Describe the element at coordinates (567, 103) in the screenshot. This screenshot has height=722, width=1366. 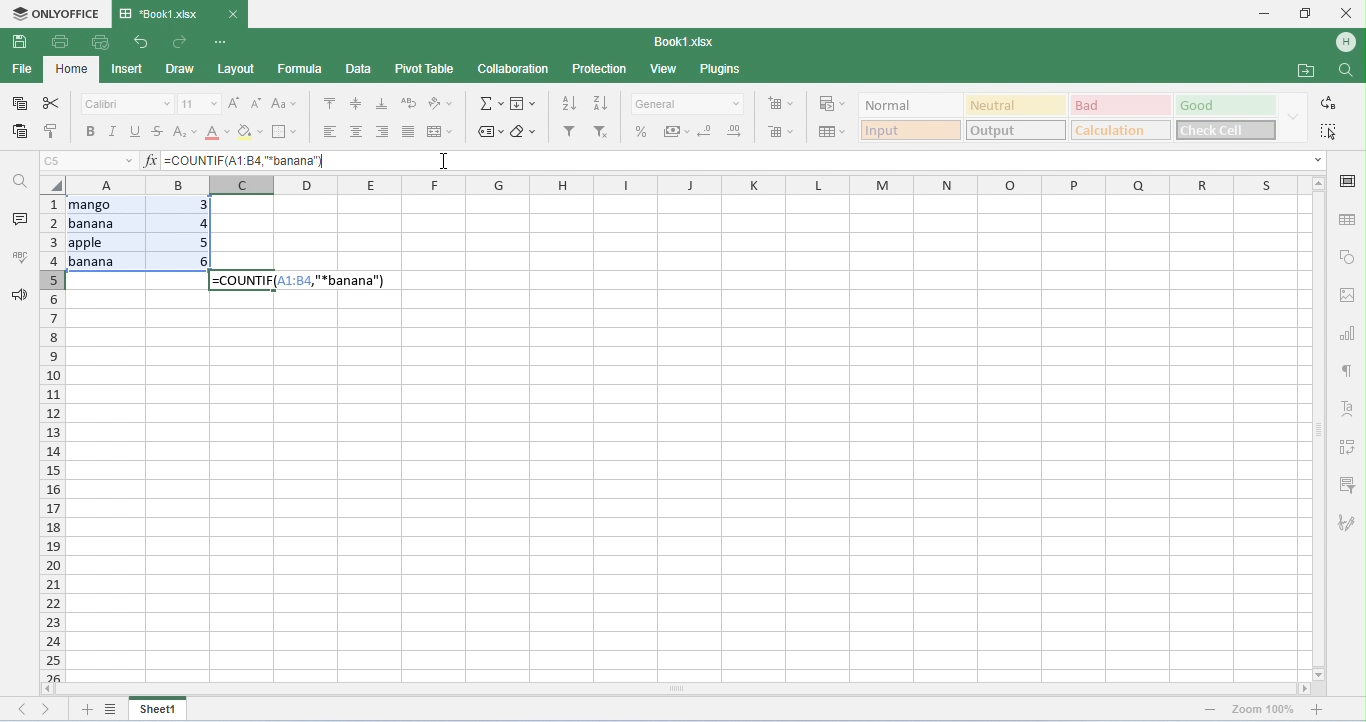
I see `sort ascending` at that location.